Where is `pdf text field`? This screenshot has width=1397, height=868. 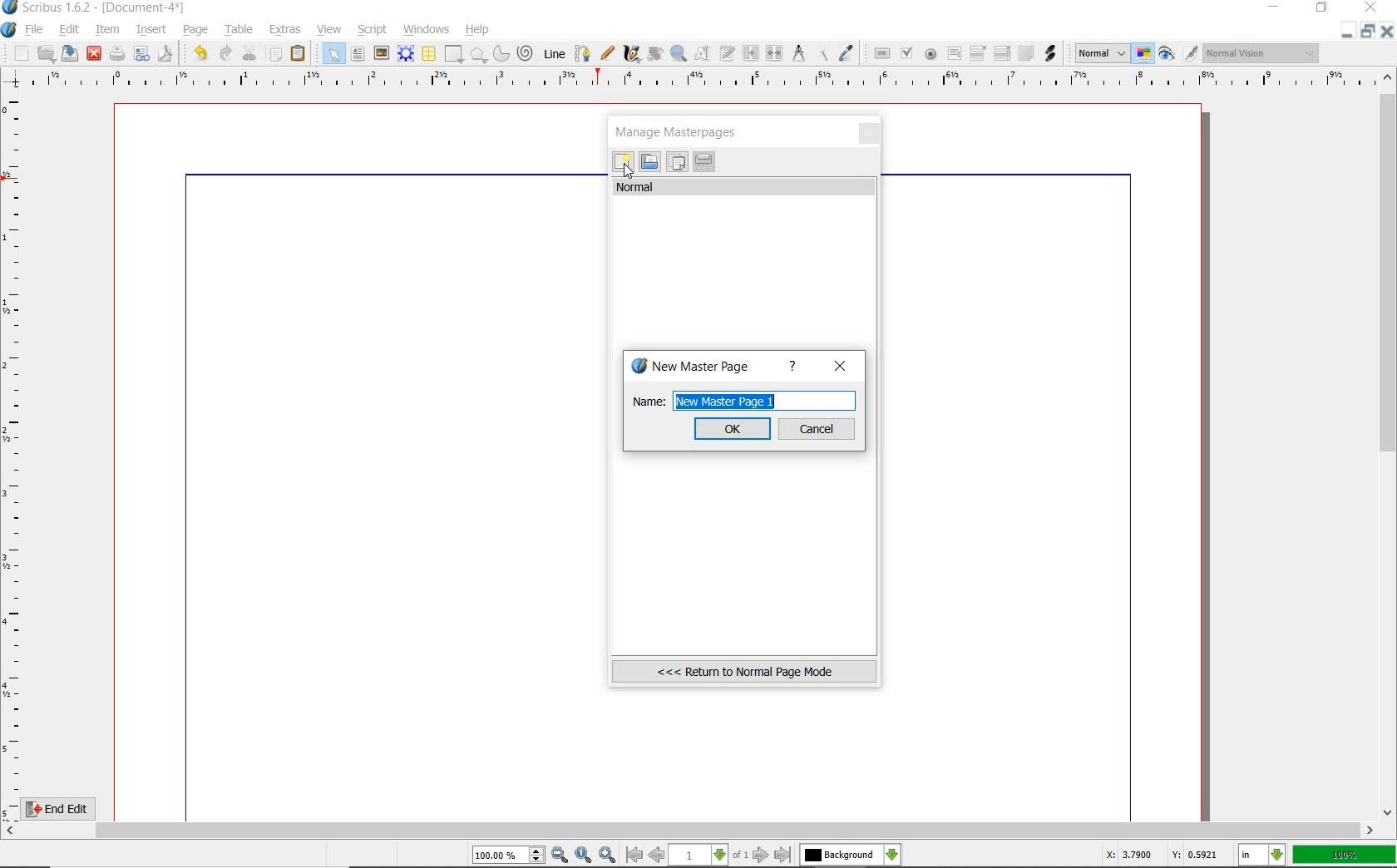 pdf text field is located at coordinates (954, 54).